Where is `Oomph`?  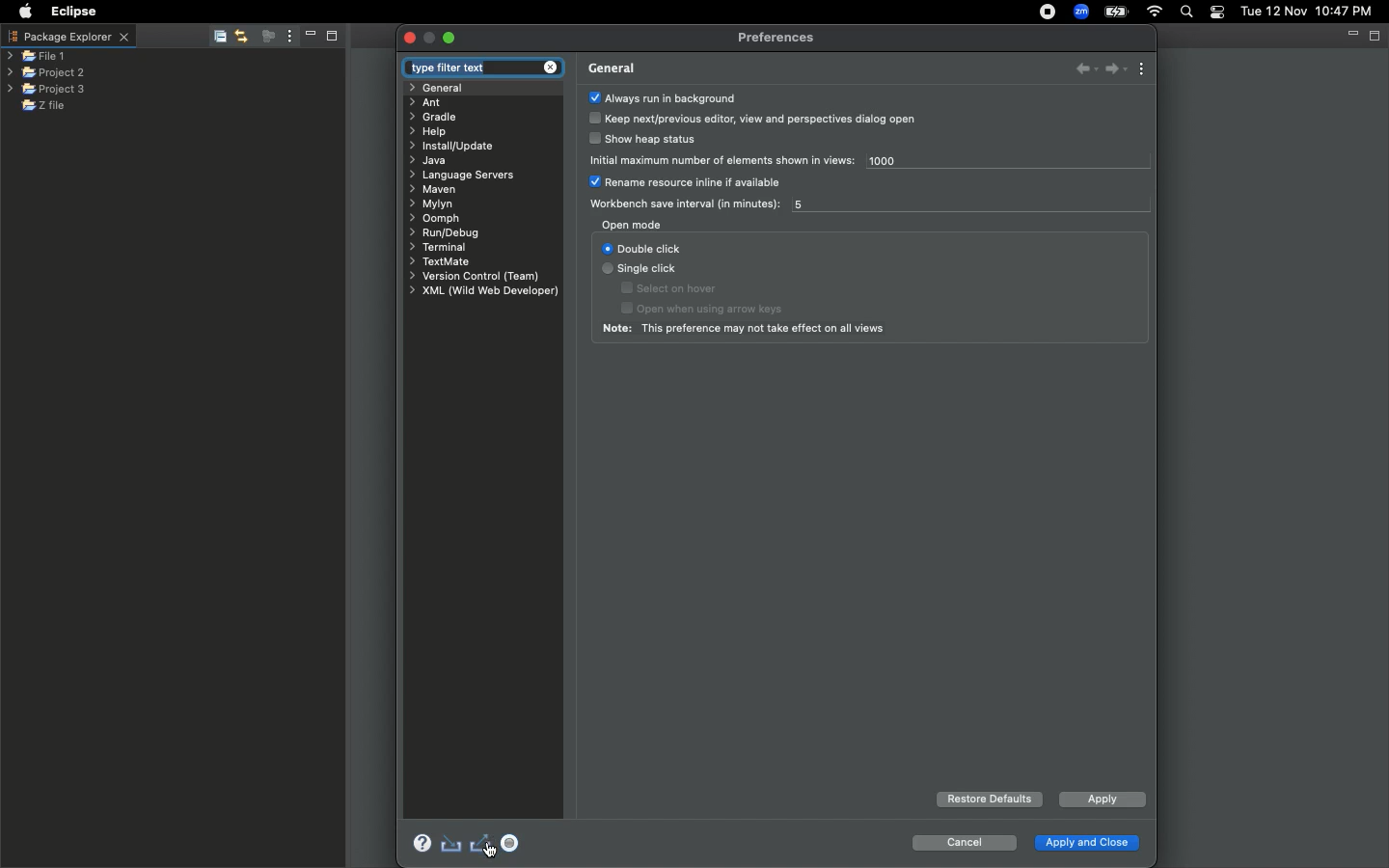
Oomph is located at coordinates (437, 220).